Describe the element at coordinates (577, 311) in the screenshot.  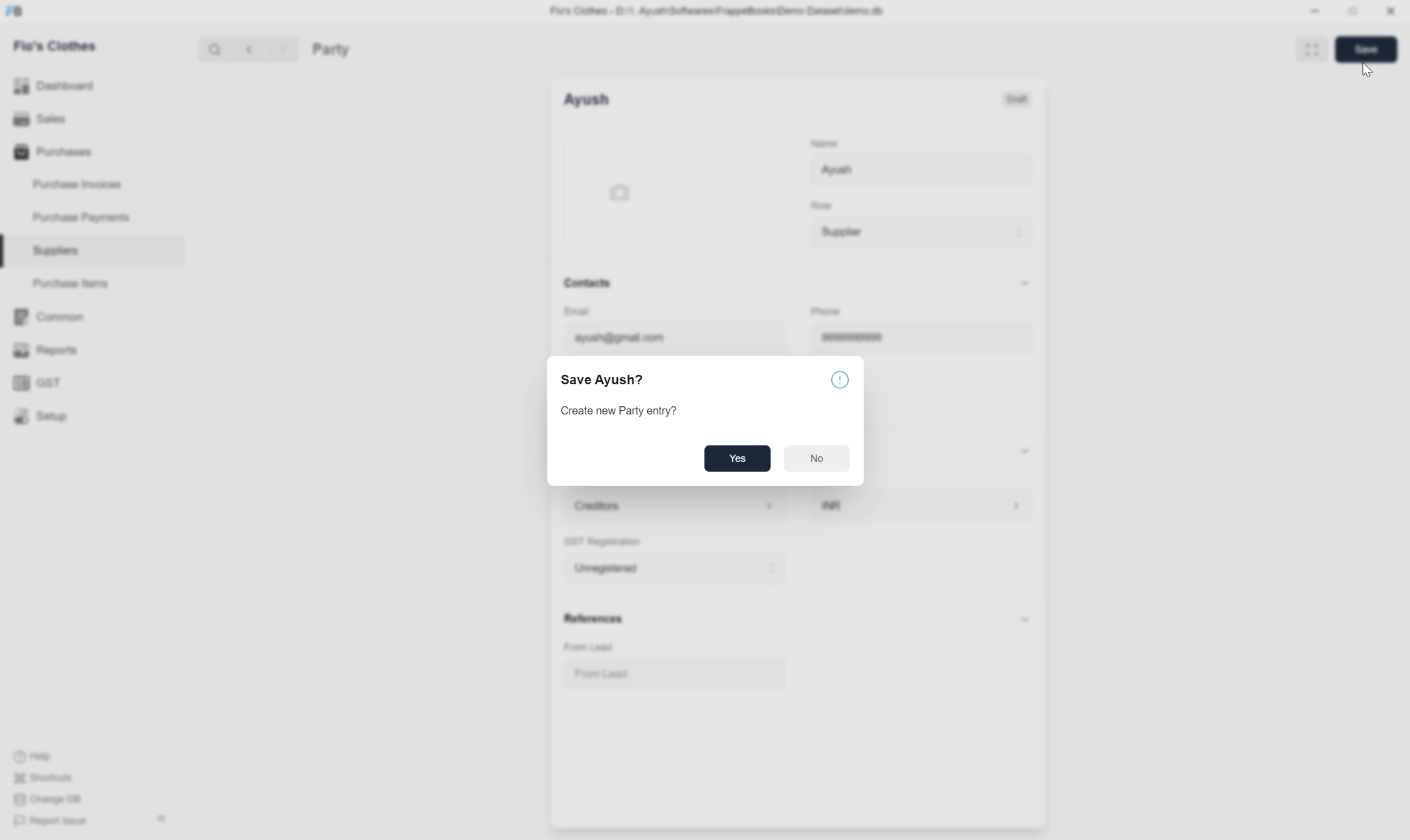
I see `Email` at that location.